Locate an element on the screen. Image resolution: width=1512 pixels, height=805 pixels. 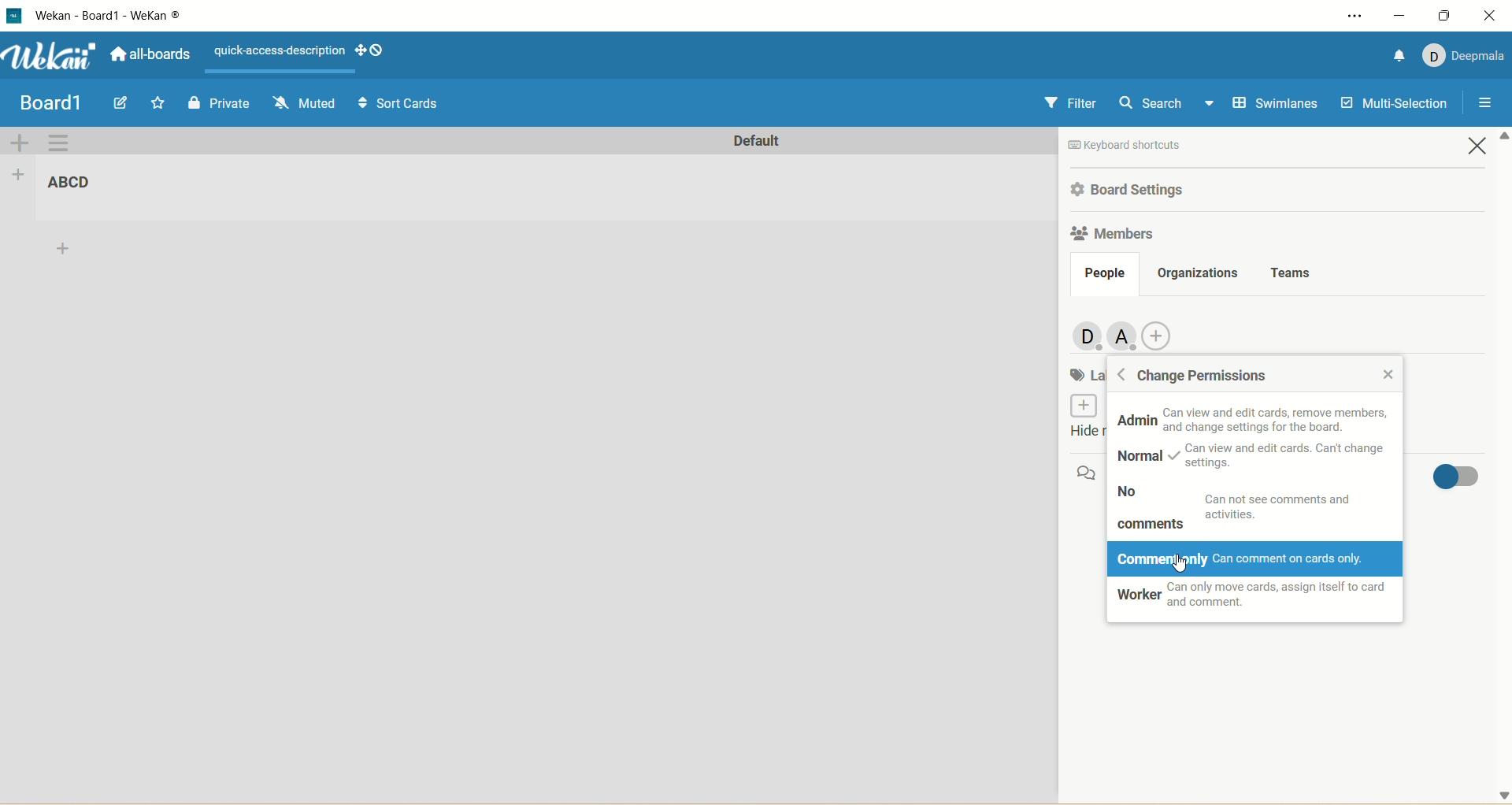
text is located at coordinates (1284, 457).